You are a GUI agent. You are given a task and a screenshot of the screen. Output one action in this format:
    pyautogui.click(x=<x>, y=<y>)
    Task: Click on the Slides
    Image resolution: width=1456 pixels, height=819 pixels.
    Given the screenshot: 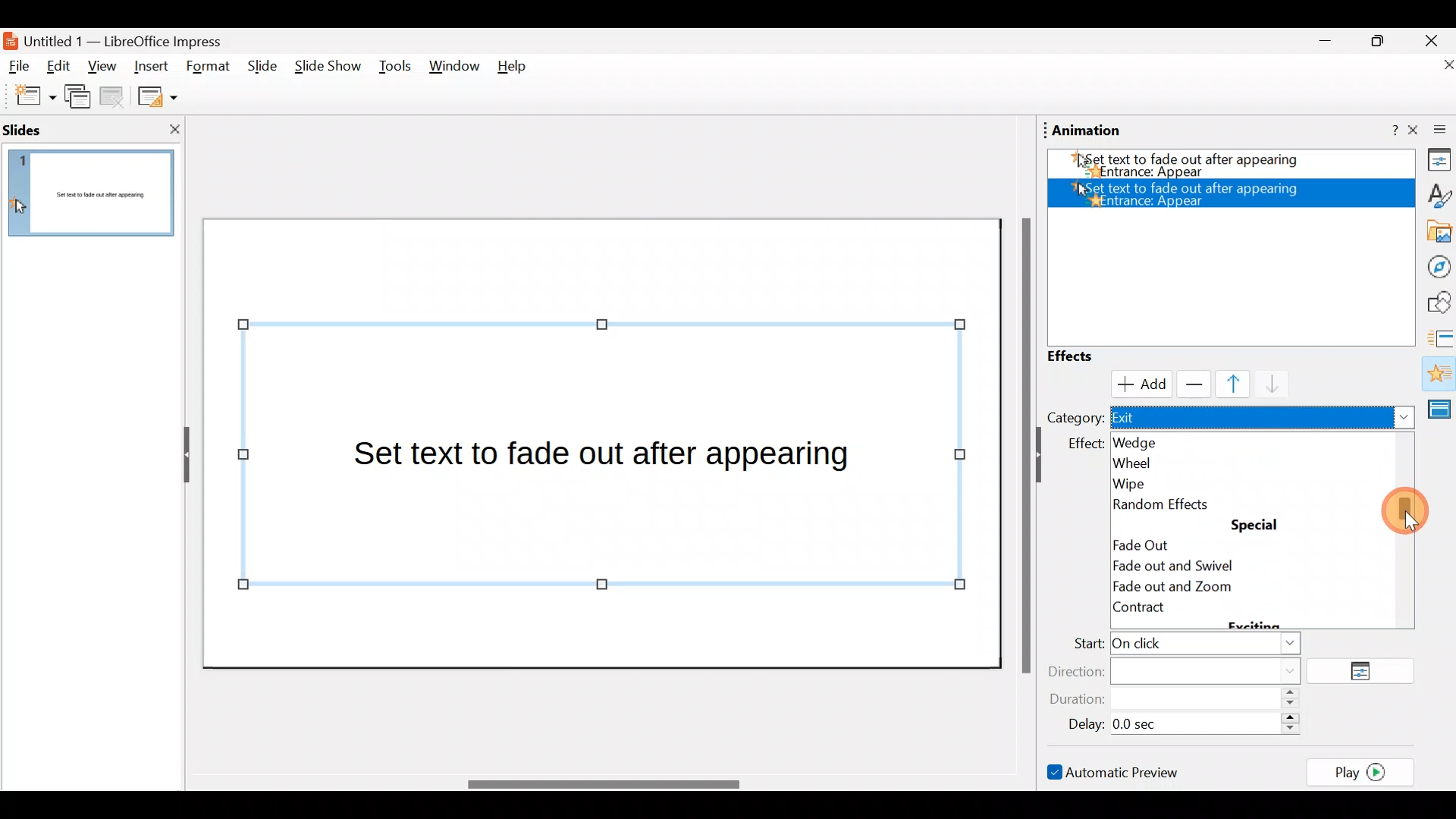 What is the action you would take?
    pyautogui.click(x=49, y=129)
    